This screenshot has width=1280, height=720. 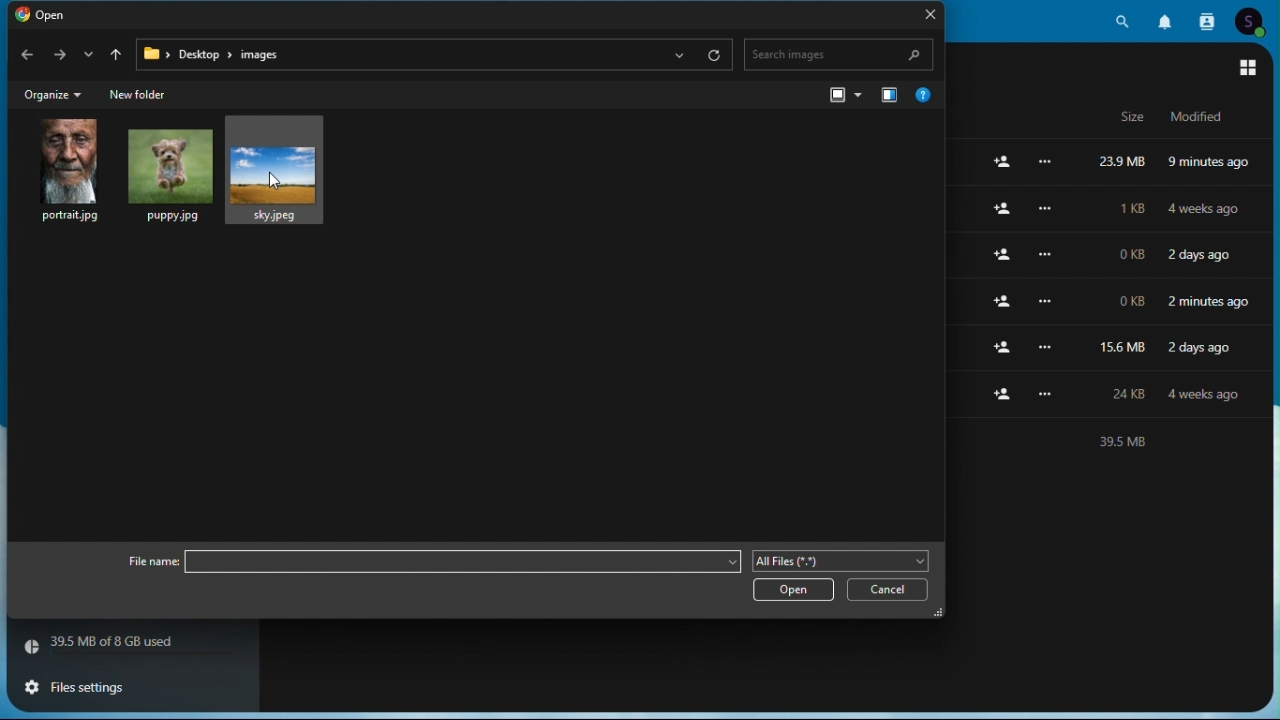 I want to click on image, so click(x=167, y=172).